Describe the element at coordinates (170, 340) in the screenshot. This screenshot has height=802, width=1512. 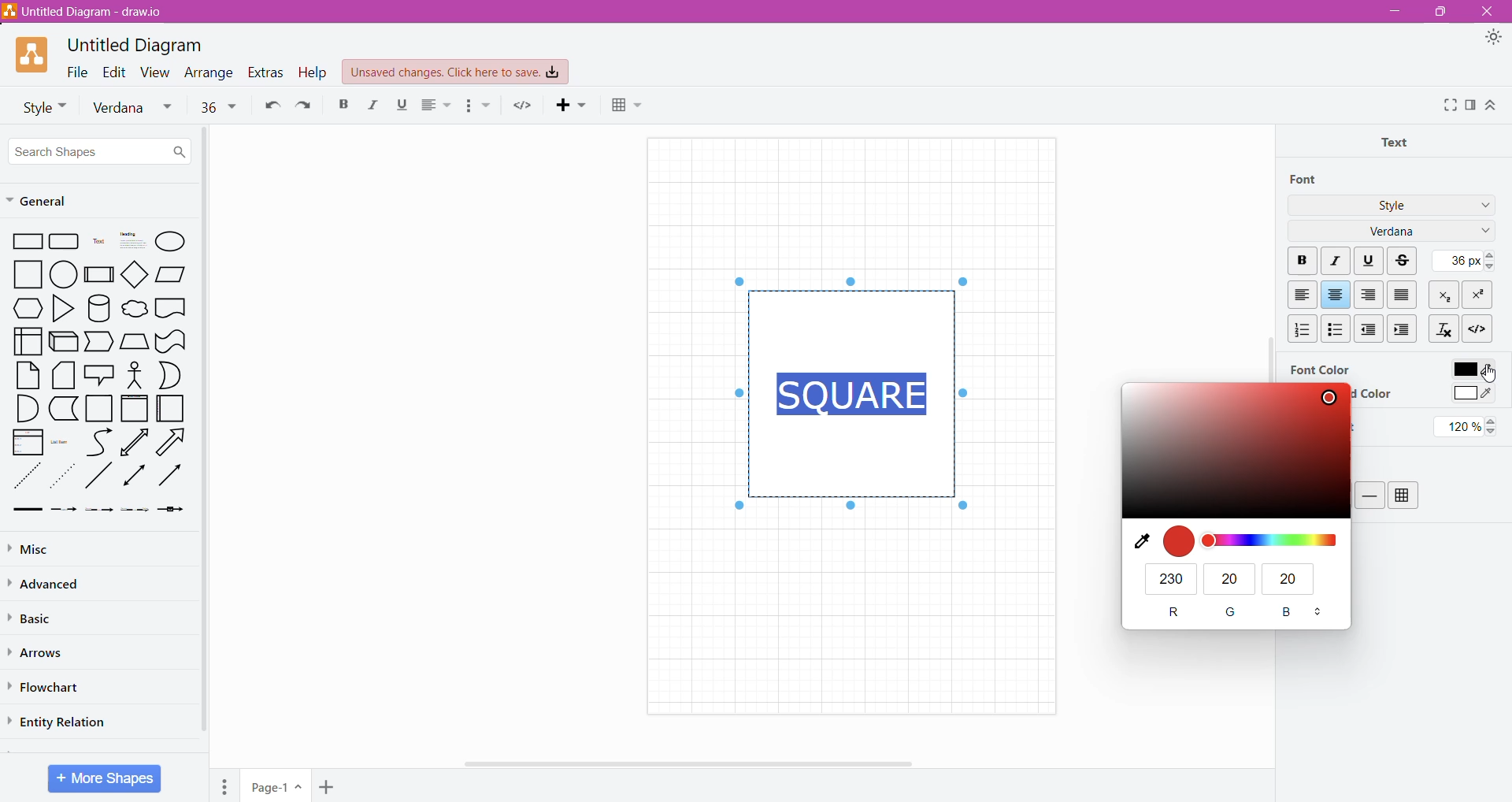
I see `Curved Rectangle` at that location.